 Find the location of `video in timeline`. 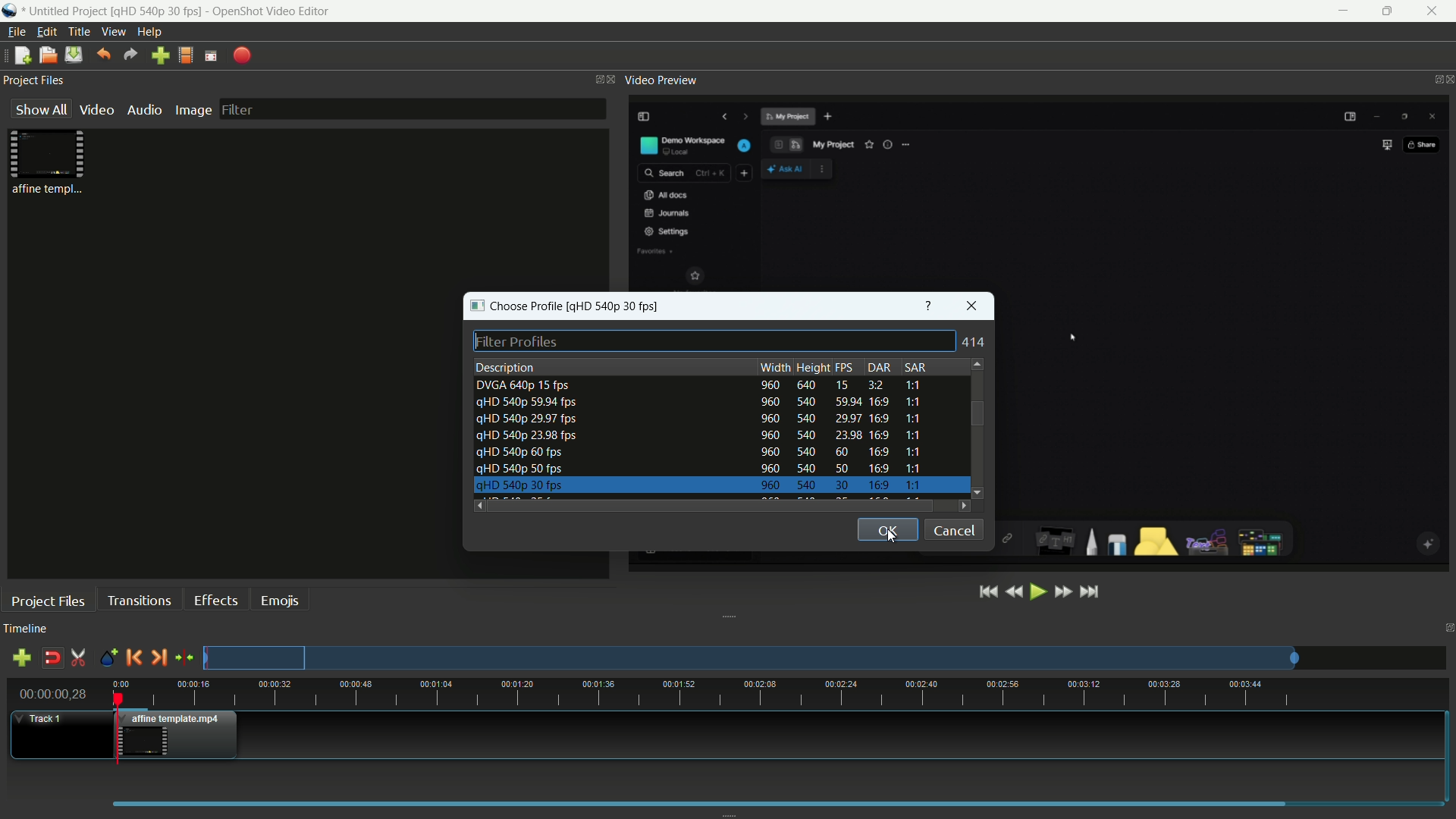

video in timeline is located at coordinates (180, 735).